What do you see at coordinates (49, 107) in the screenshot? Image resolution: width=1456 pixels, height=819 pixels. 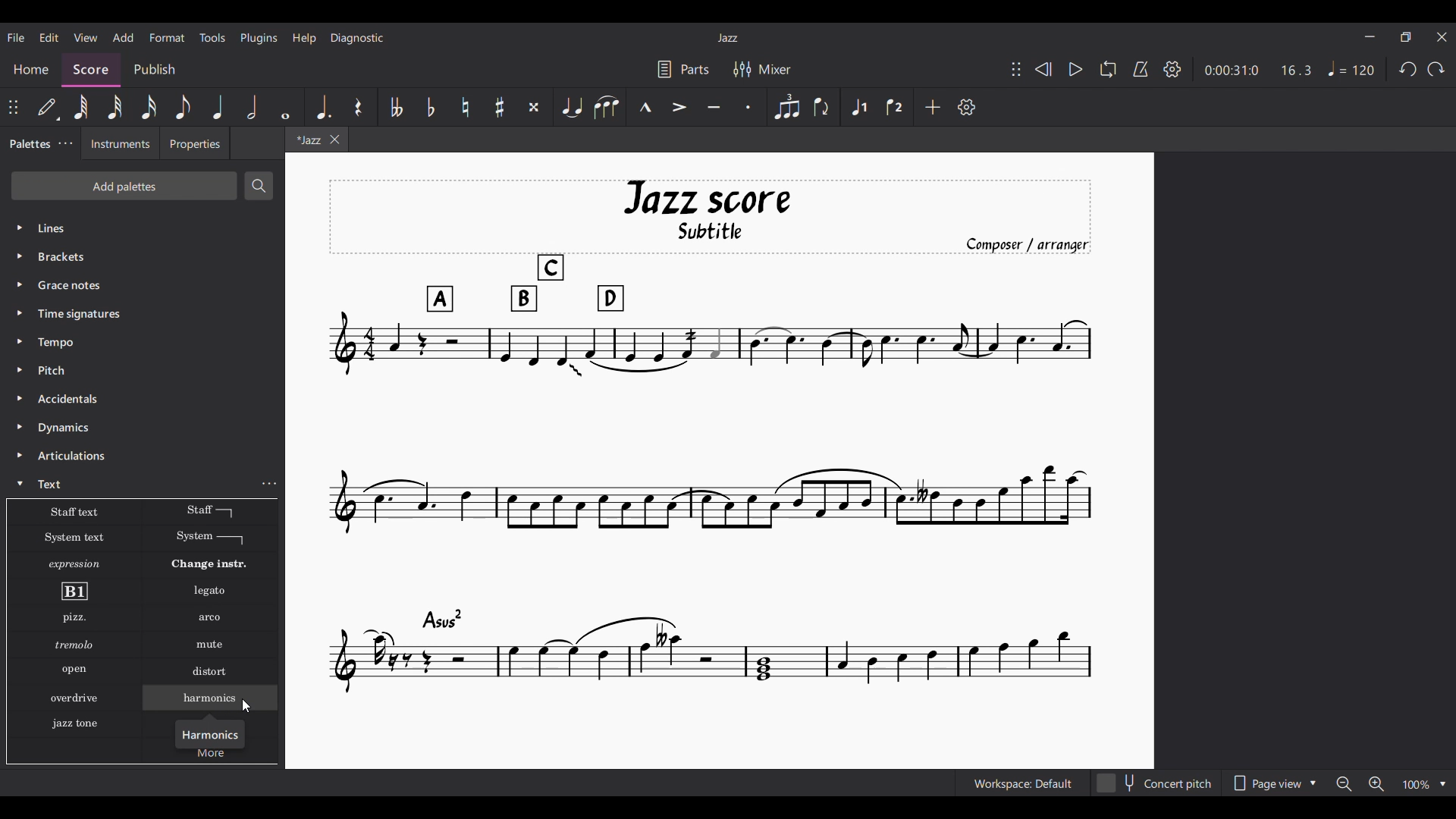 I see `Default` at bounding box center [49, 107].